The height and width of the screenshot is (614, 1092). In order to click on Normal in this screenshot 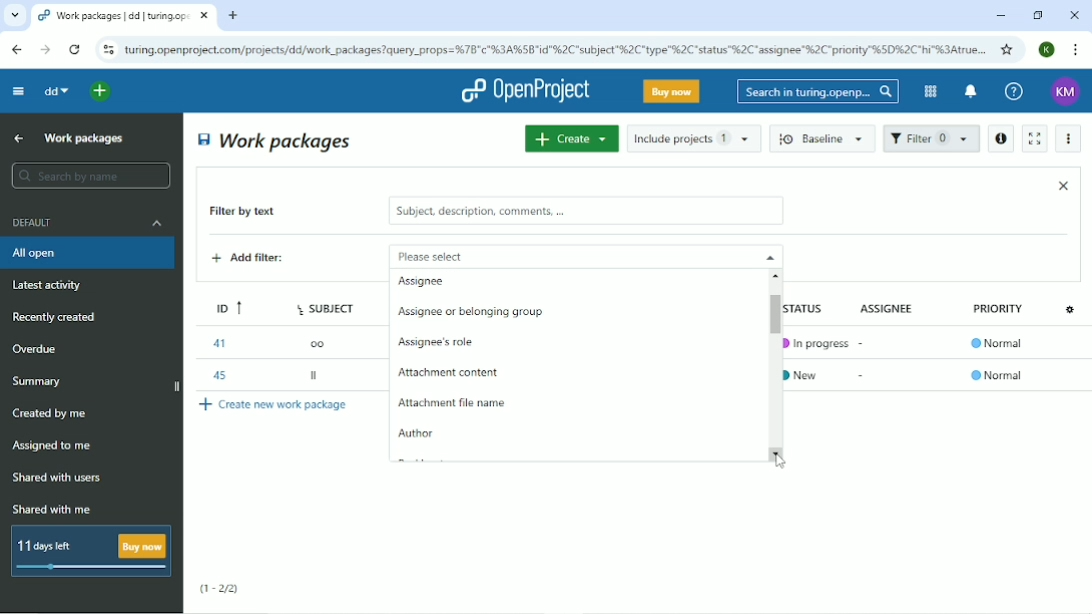, I will do `click(1000, 345)`.